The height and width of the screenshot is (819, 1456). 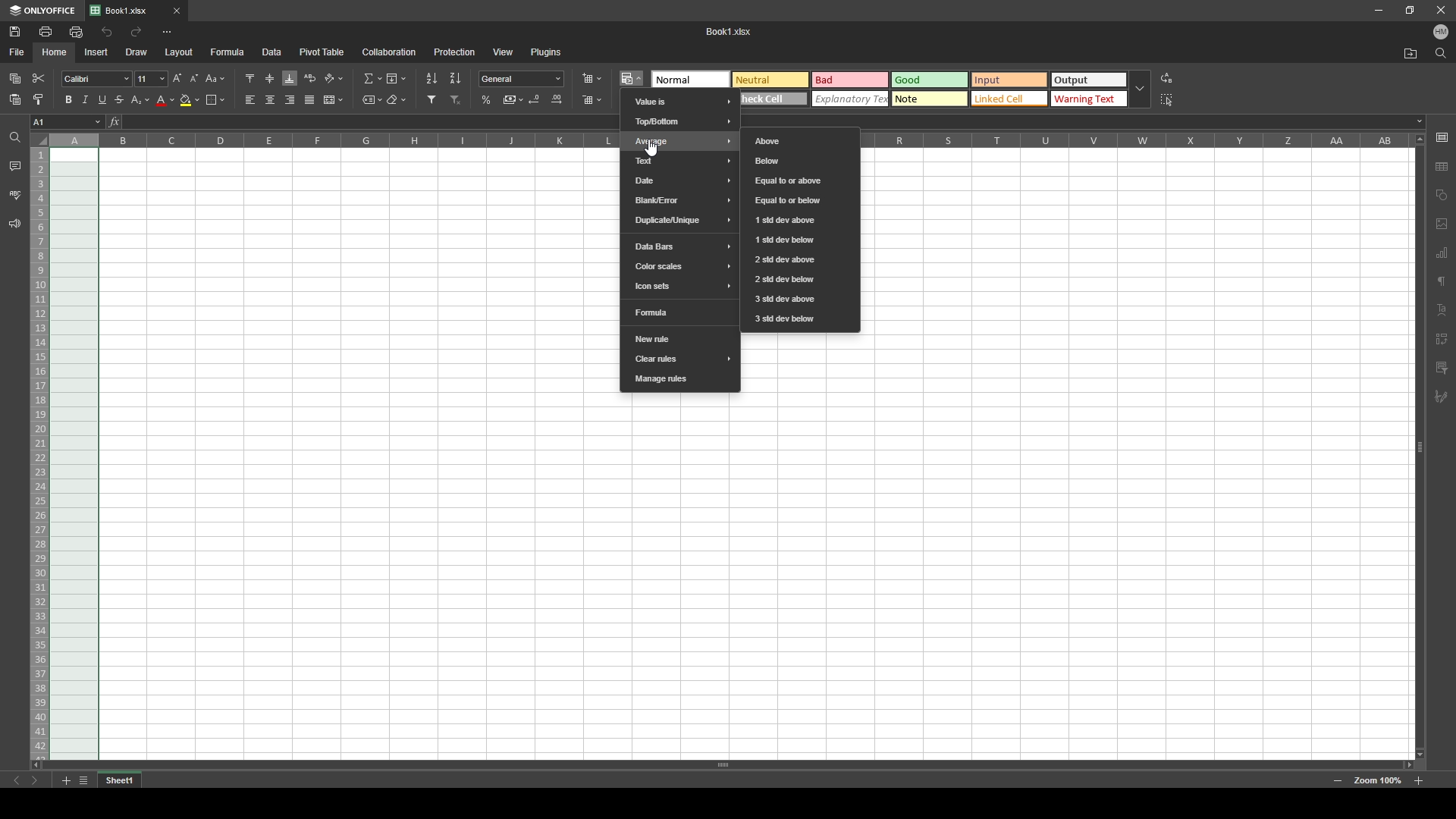 I want to click on above, so click(x=802, y=140).